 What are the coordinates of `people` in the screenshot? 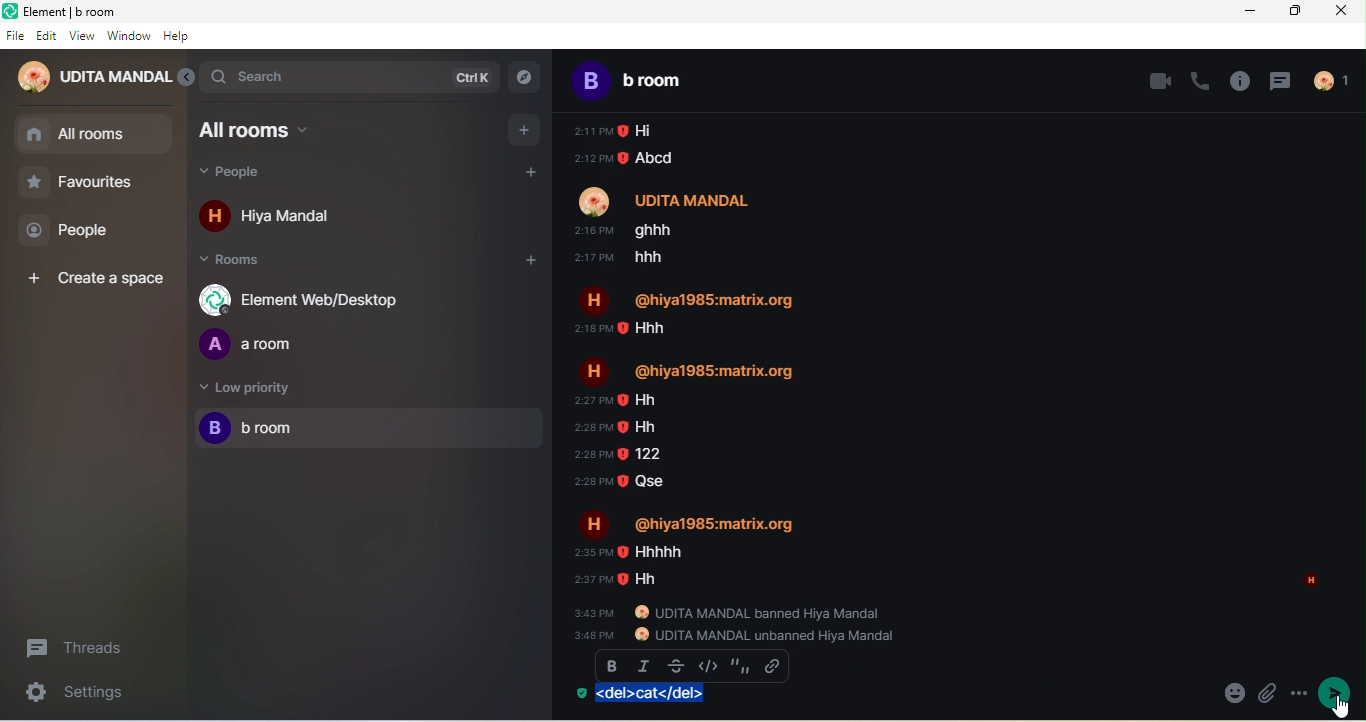 It's located at (254, 175).